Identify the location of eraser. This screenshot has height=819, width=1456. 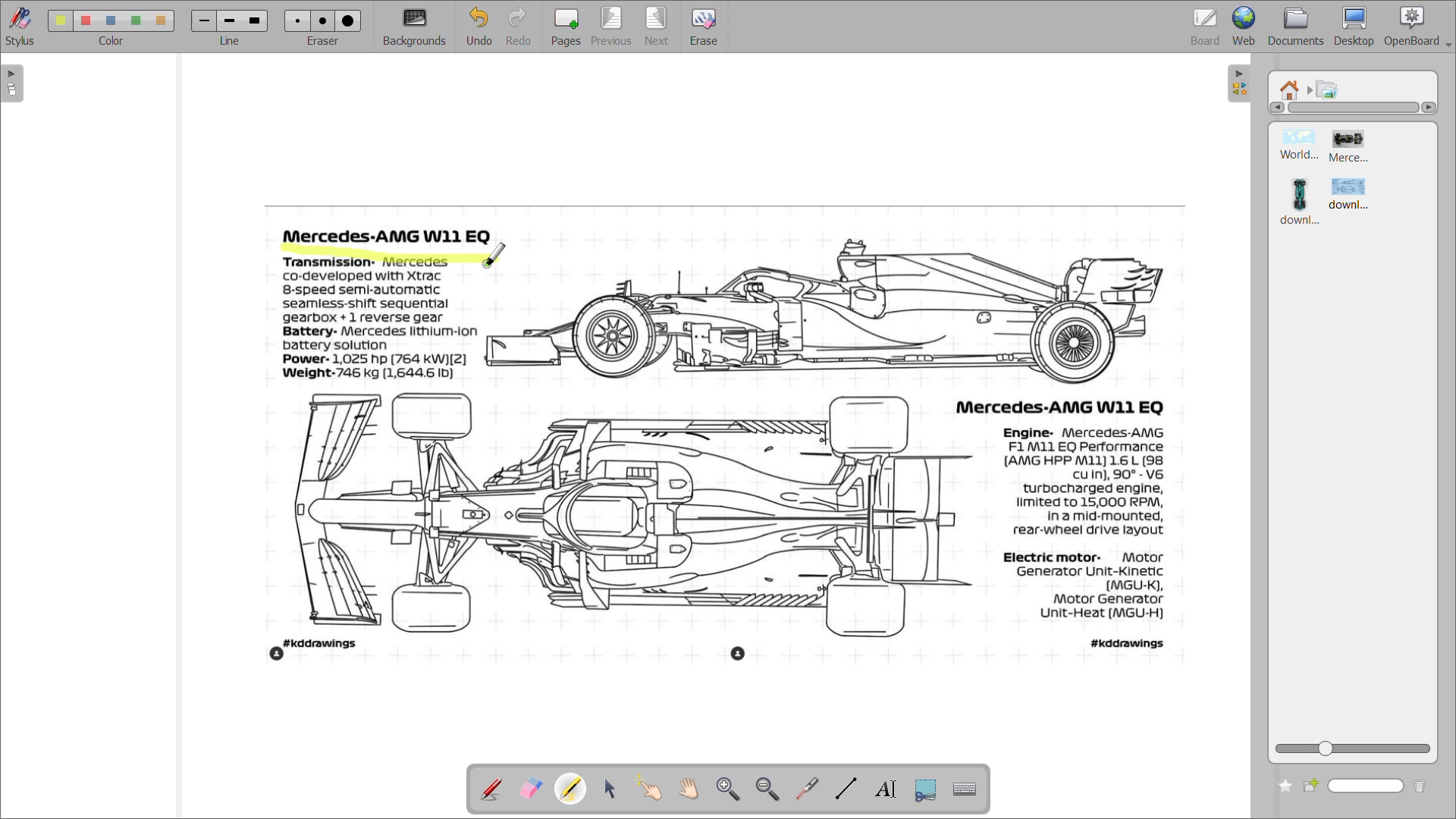
(324, 42).